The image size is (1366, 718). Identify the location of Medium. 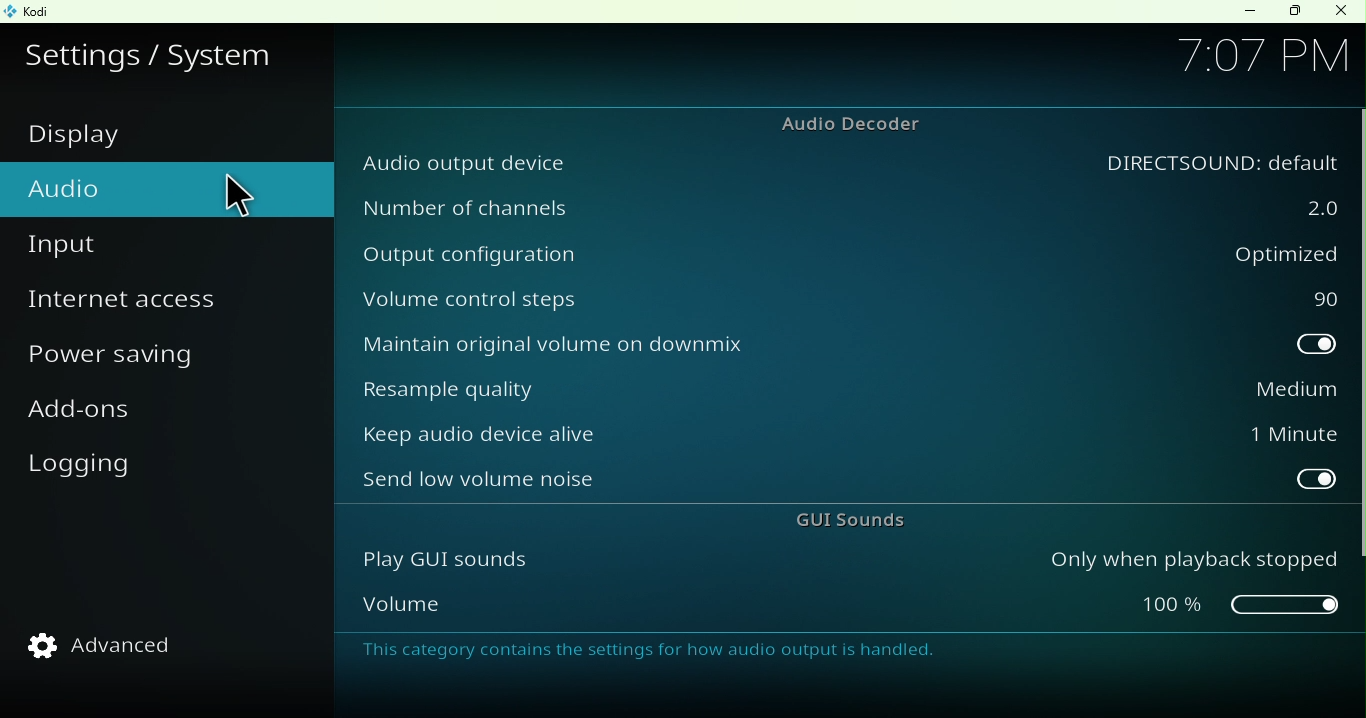
(1221, 391).